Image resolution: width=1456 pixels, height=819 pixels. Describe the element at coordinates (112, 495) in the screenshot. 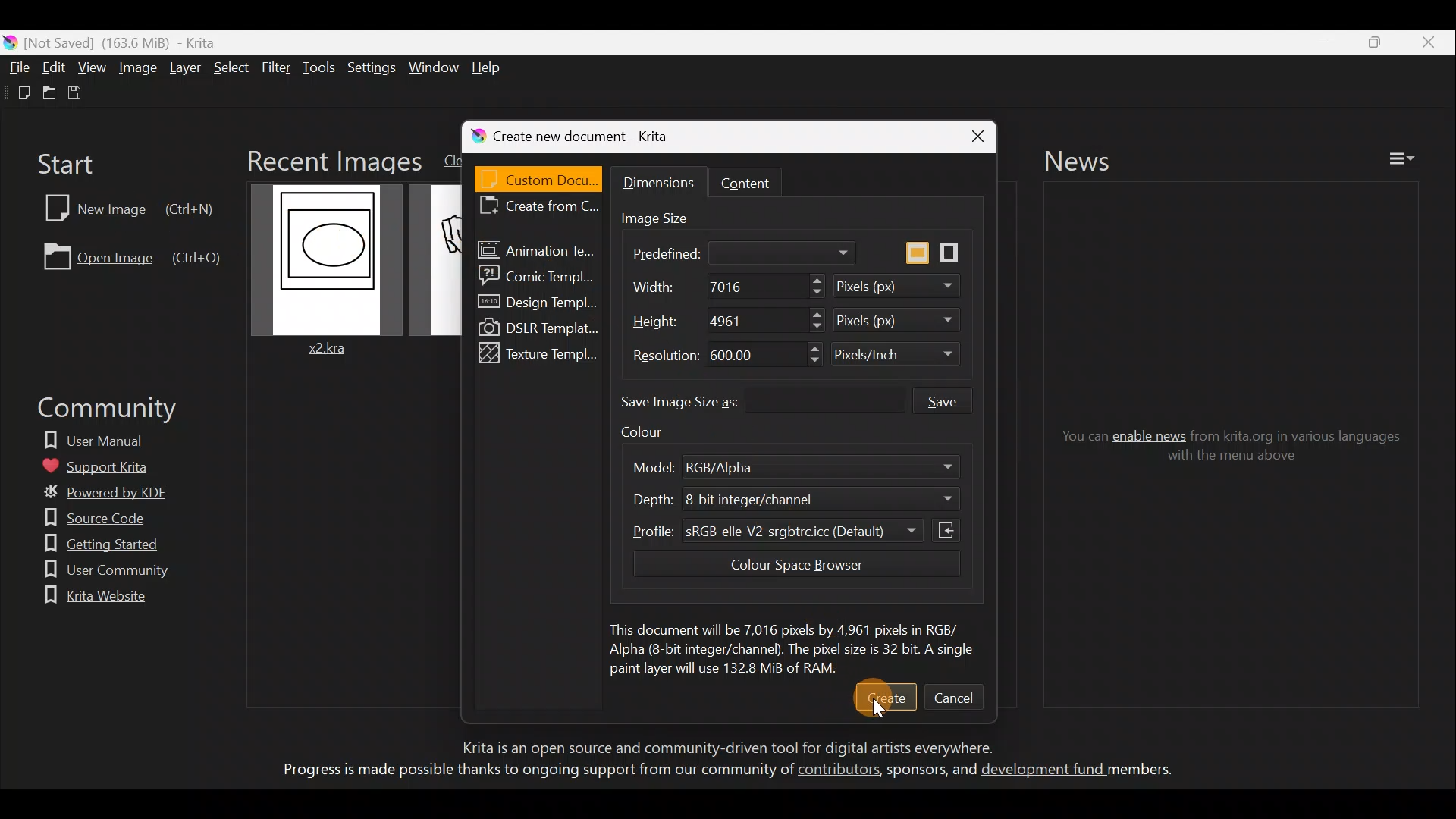

I see `Powered by KDE` at that location.